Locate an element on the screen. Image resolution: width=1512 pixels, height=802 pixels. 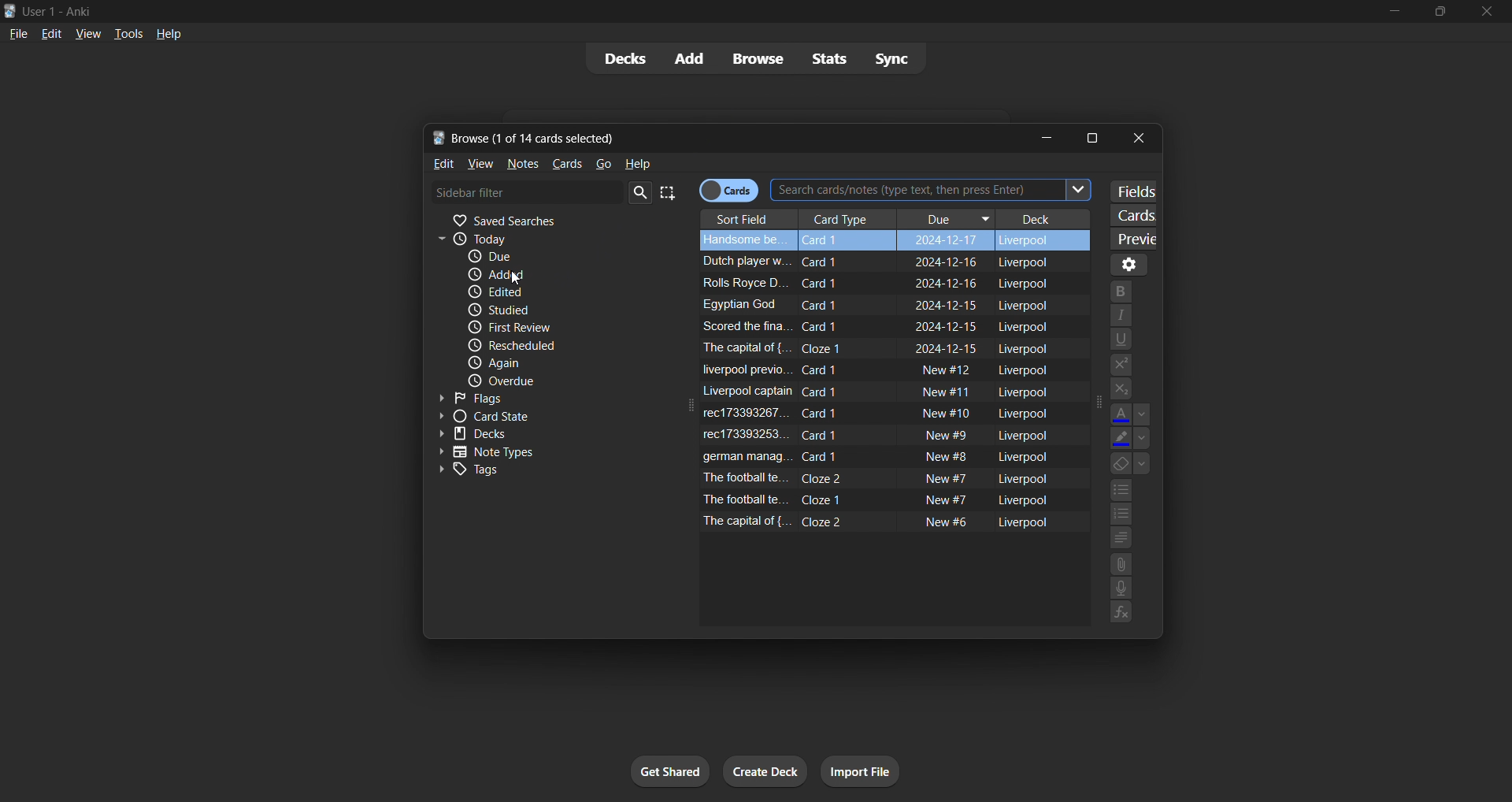
Egyptian God Card 1 2024-12-15 Liverpool is located at coordinates (873, 305).